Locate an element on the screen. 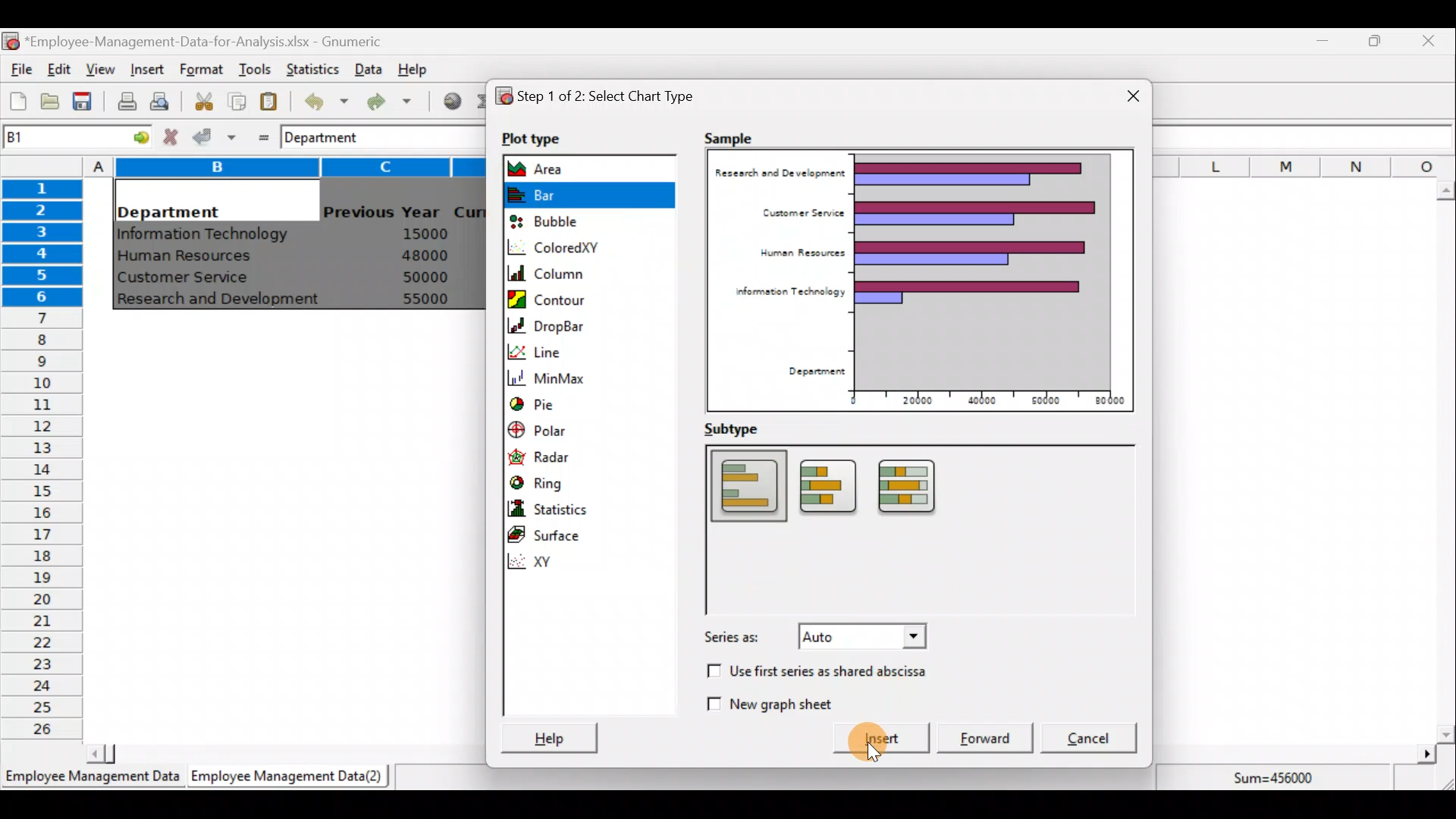  Save the current workbook is located at coordinates (87, 104).